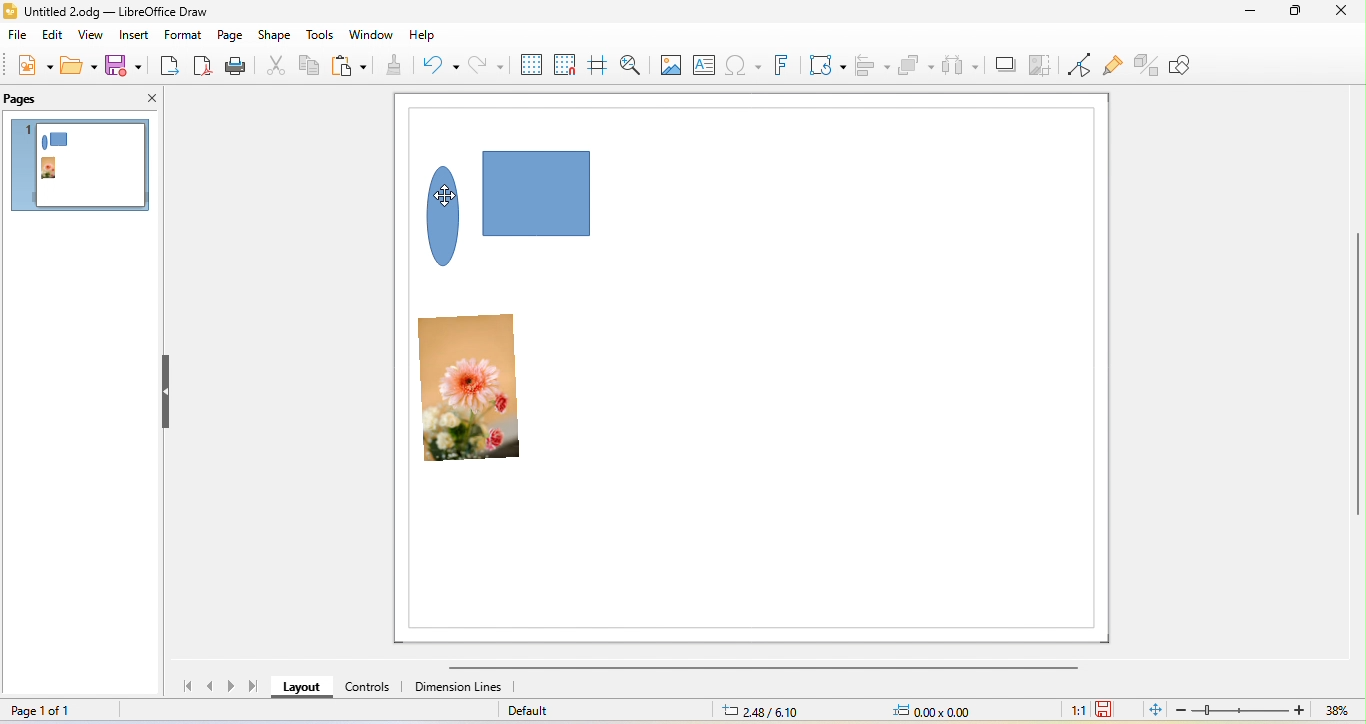 This screenshot has width=1366, height=724. Describe the element at coordinates (279, 68) in the screenshot. I see `cut` at that location.